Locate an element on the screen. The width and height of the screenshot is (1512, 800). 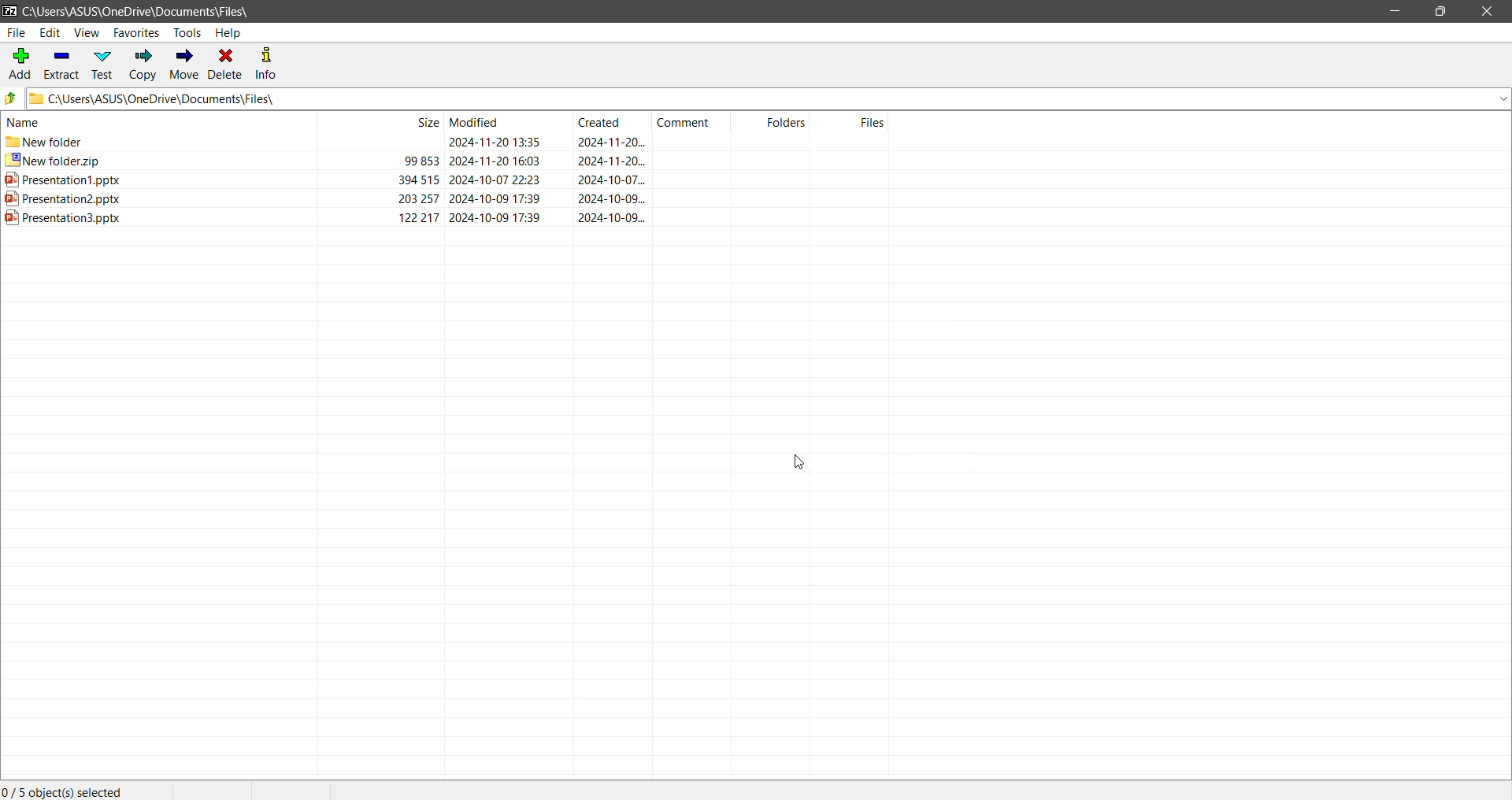
Files Created Date is located at coordinates (613, 122).